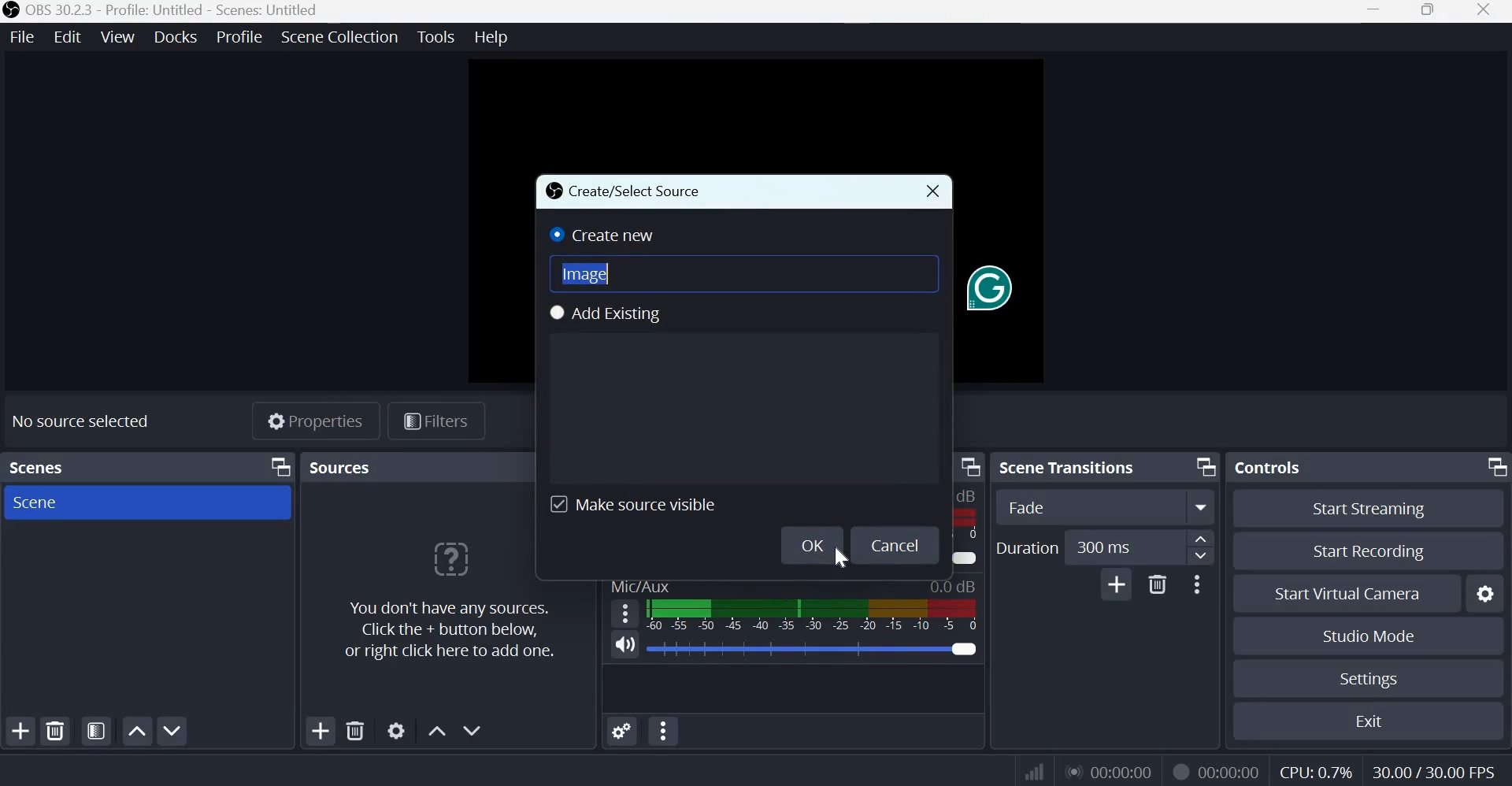 This screenshot has width=1512, height=786. Describe the element at coordinates (1204, 558) in the screenshot. I see `Decrease` at that location.